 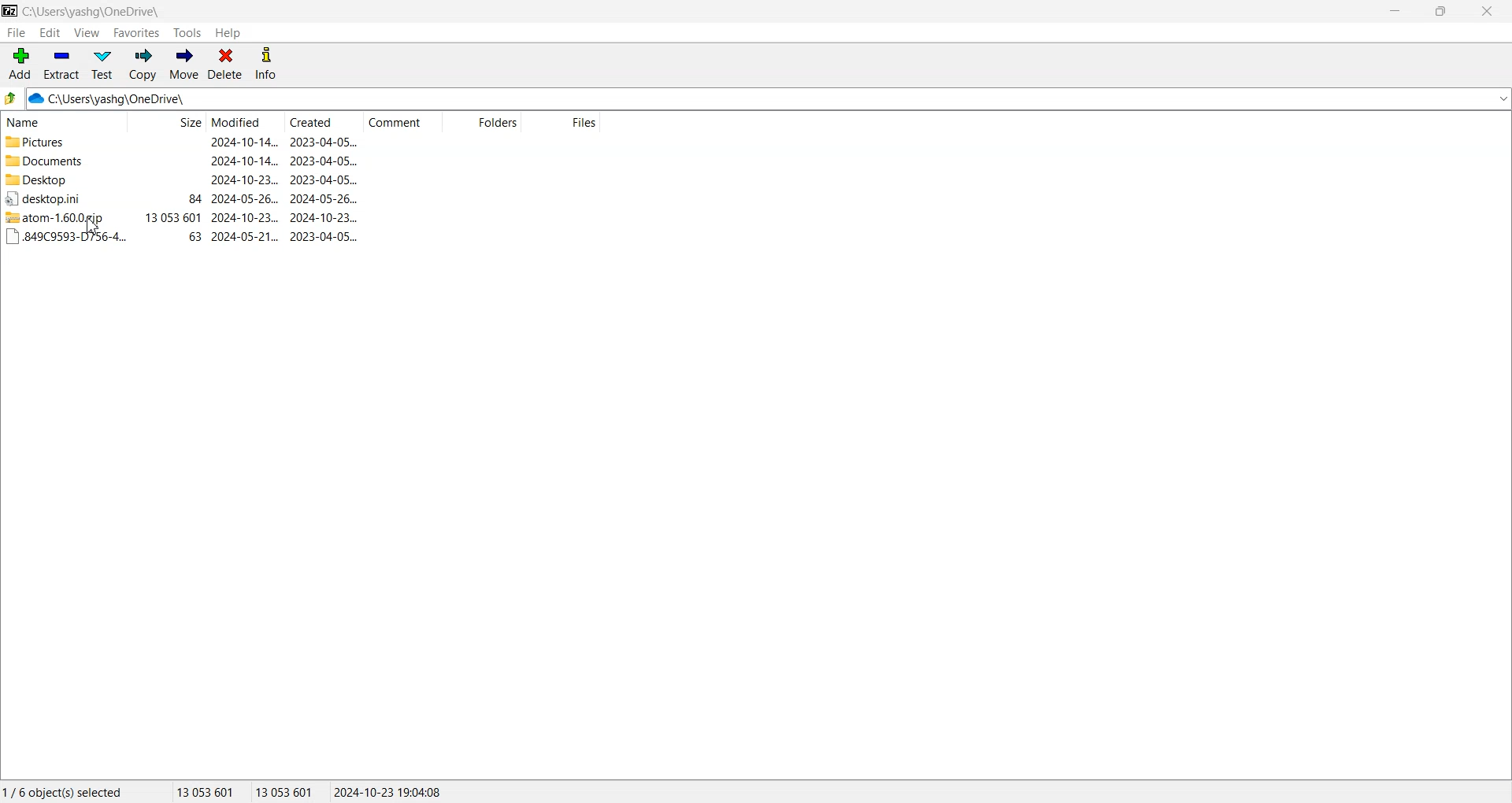 I want to click on 63, so click(x=195, y=237).